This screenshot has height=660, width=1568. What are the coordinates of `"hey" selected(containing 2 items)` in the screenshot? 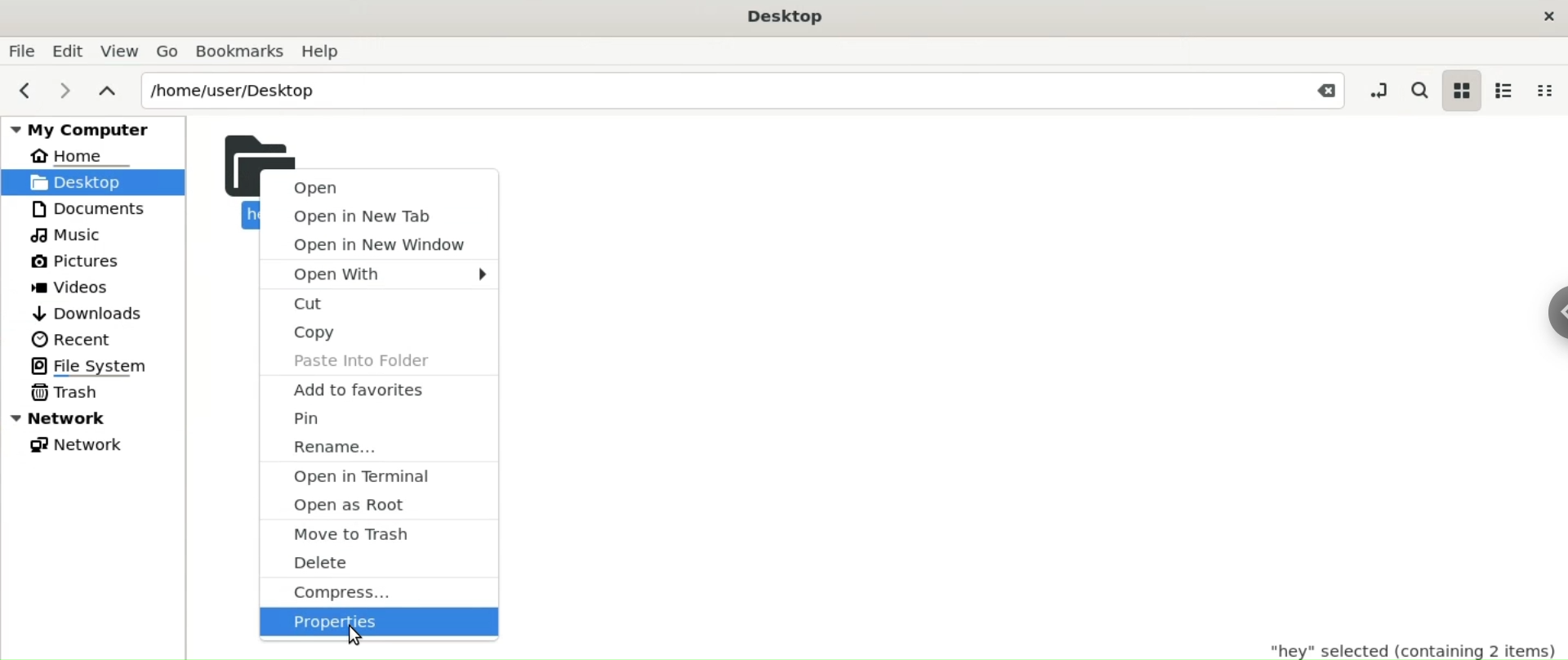 It's located at (1410, 648).